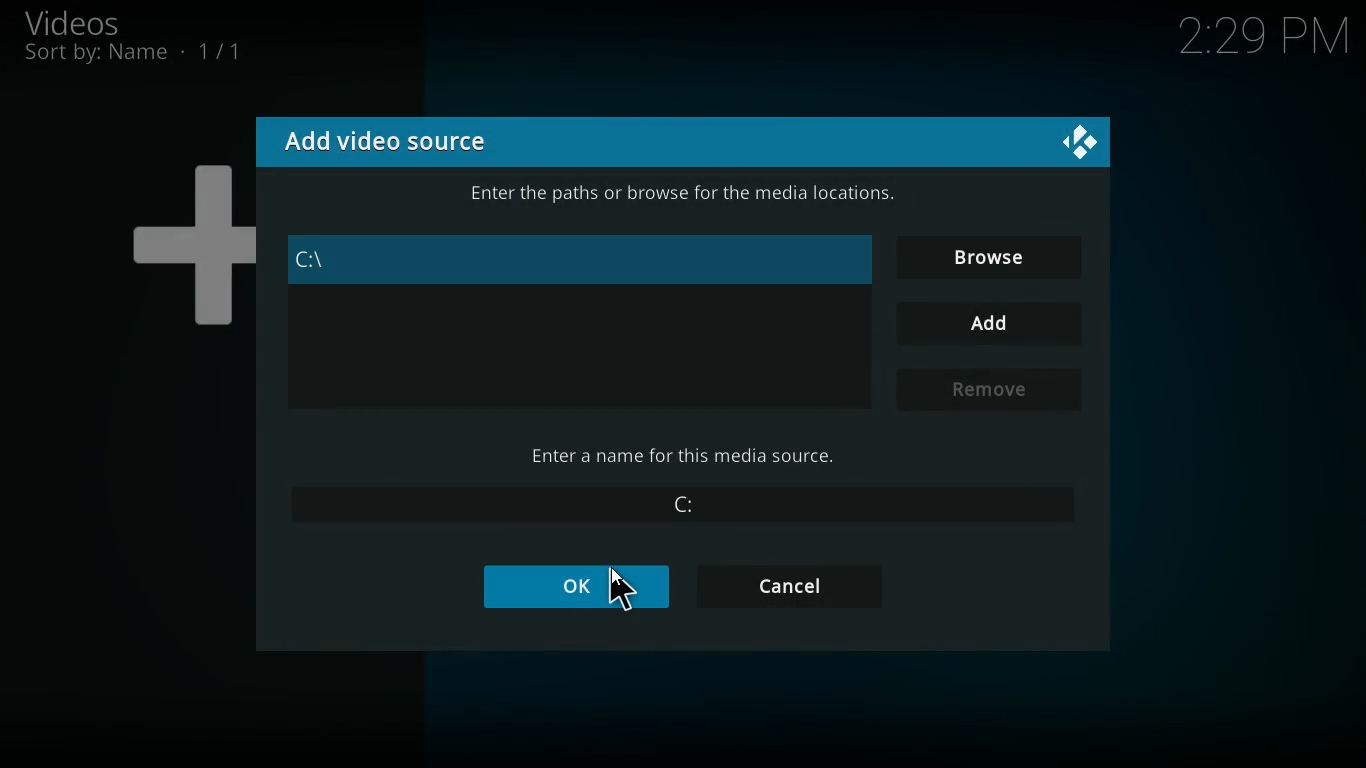  I want to click on enter name, so click(685, 456).